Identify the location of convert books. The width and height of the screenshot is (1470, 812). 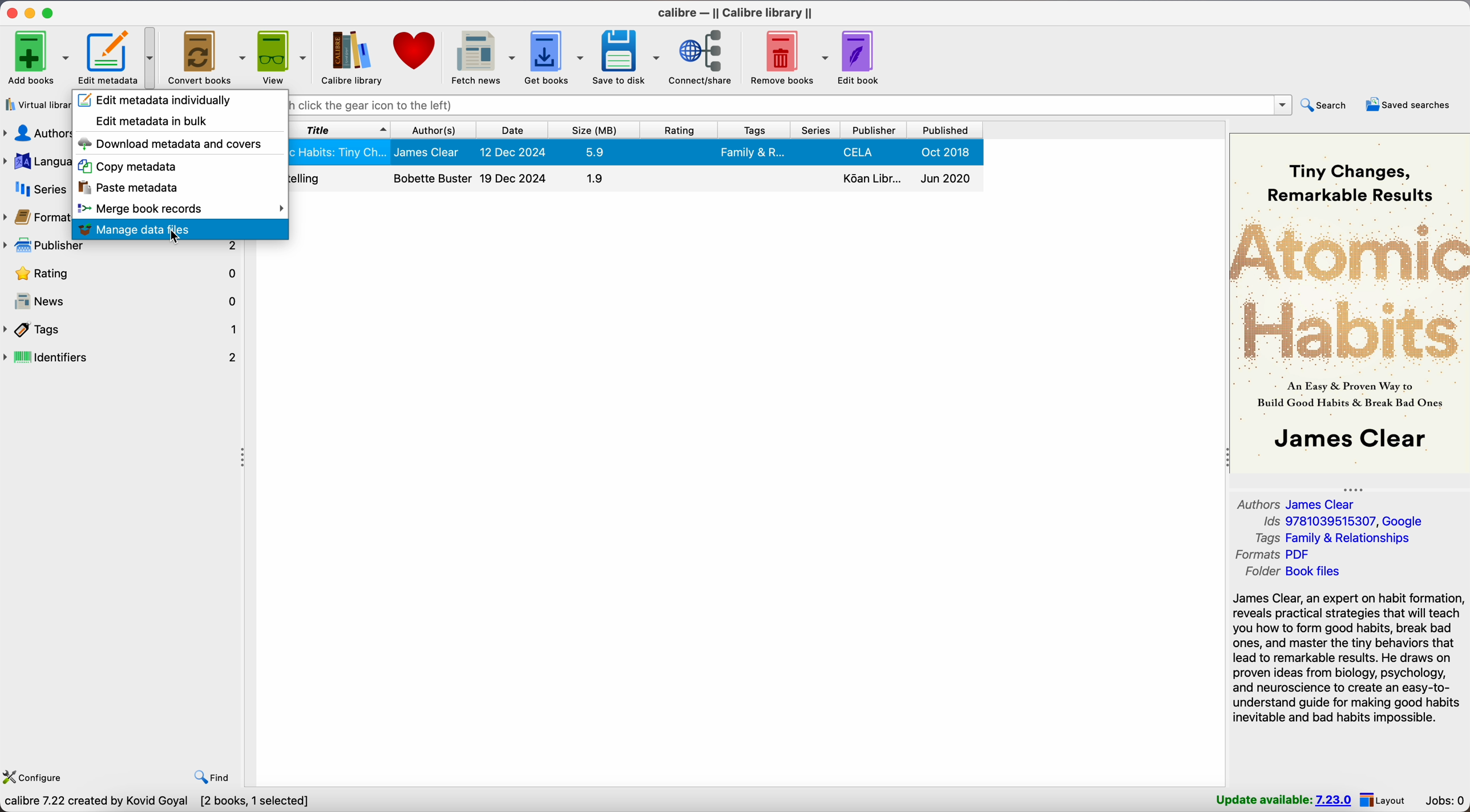
(205, 58).